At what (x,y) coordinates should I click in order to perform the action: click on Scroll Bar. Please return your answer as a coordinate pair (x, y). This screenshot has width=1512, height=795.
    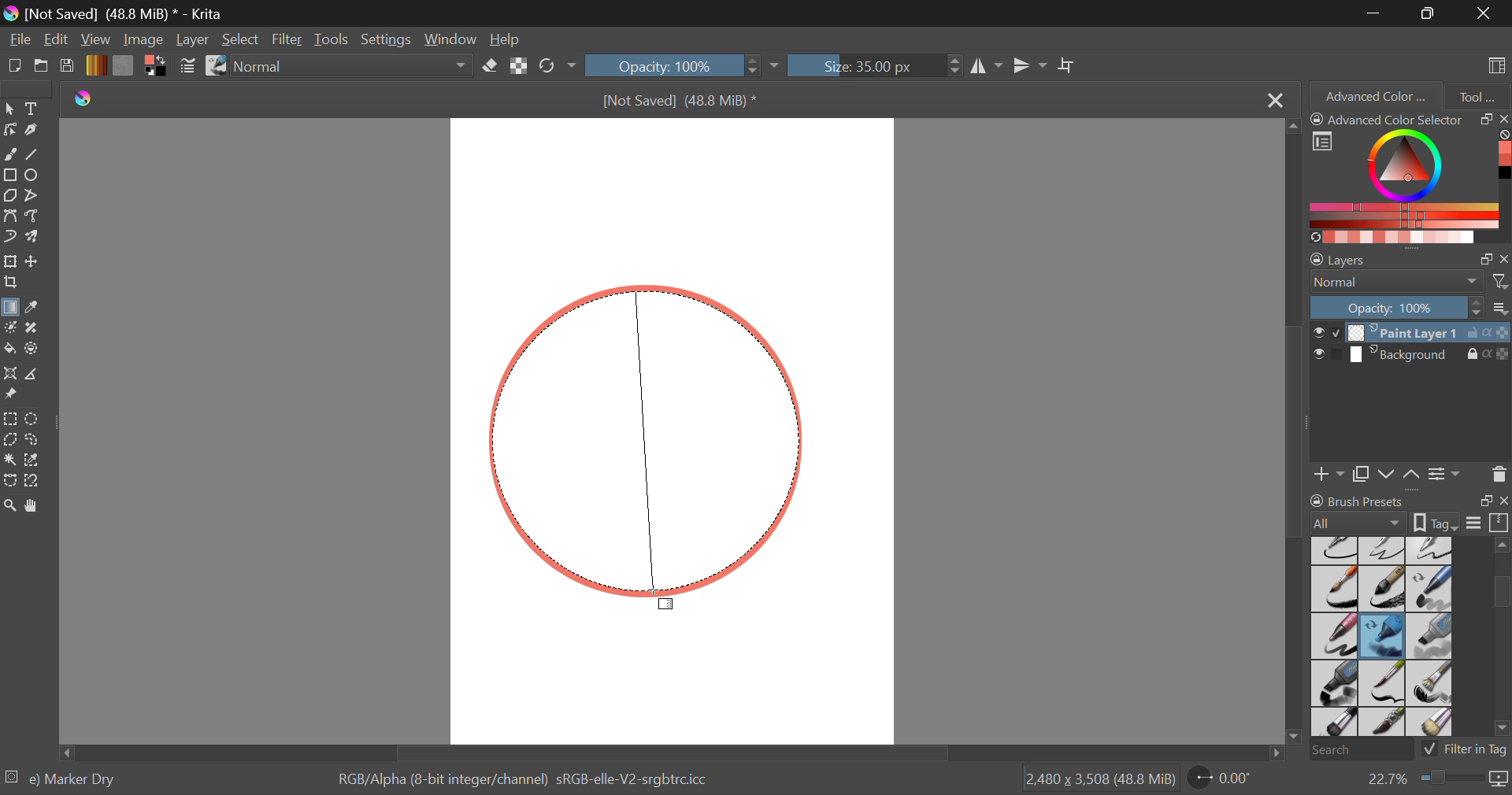
    Looking at the image, I should click on (1296, 434).